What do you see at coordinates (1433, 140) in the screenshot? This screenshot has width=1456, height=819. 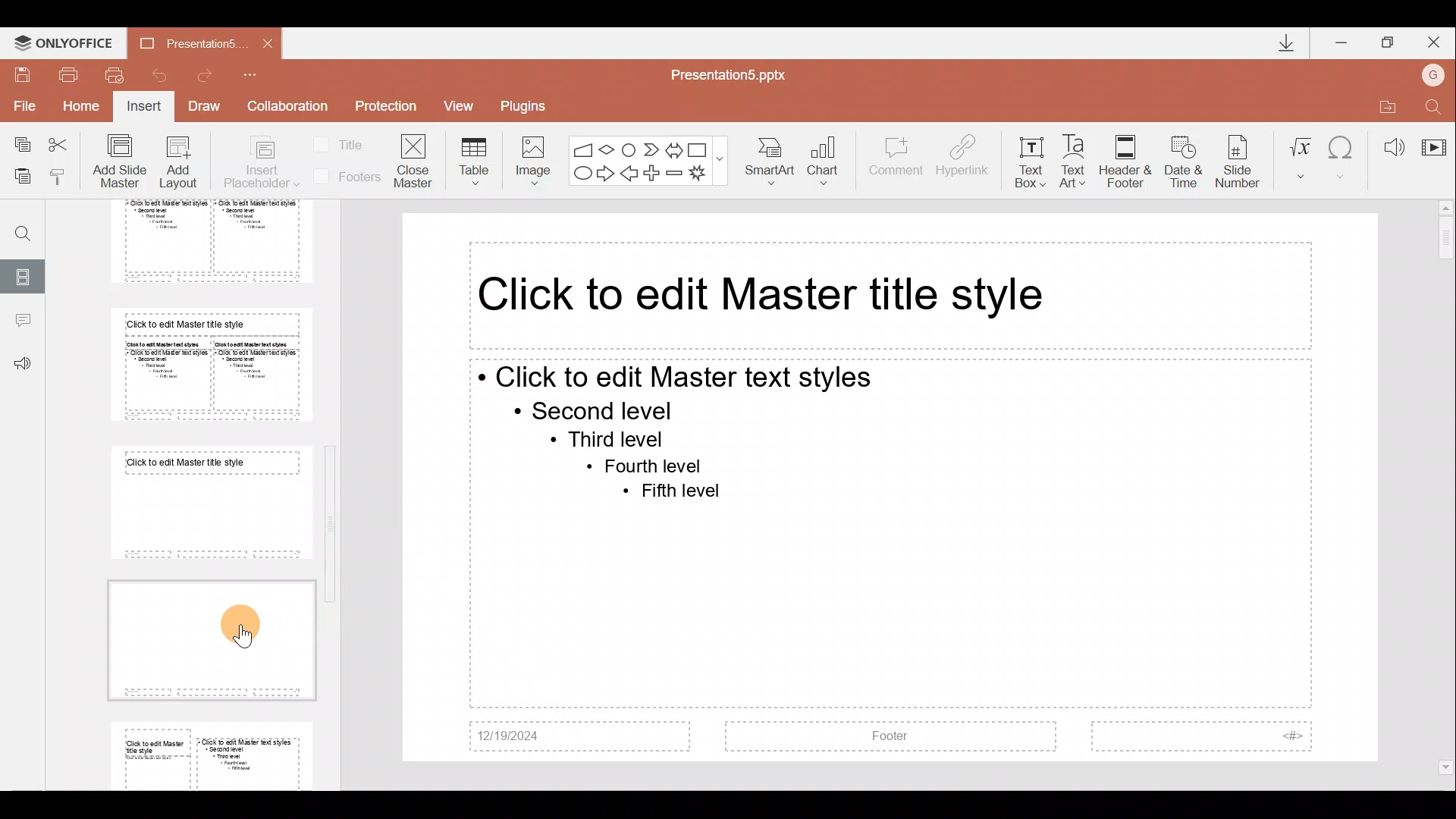 I see `Video` at bounding box center [1433, 140].